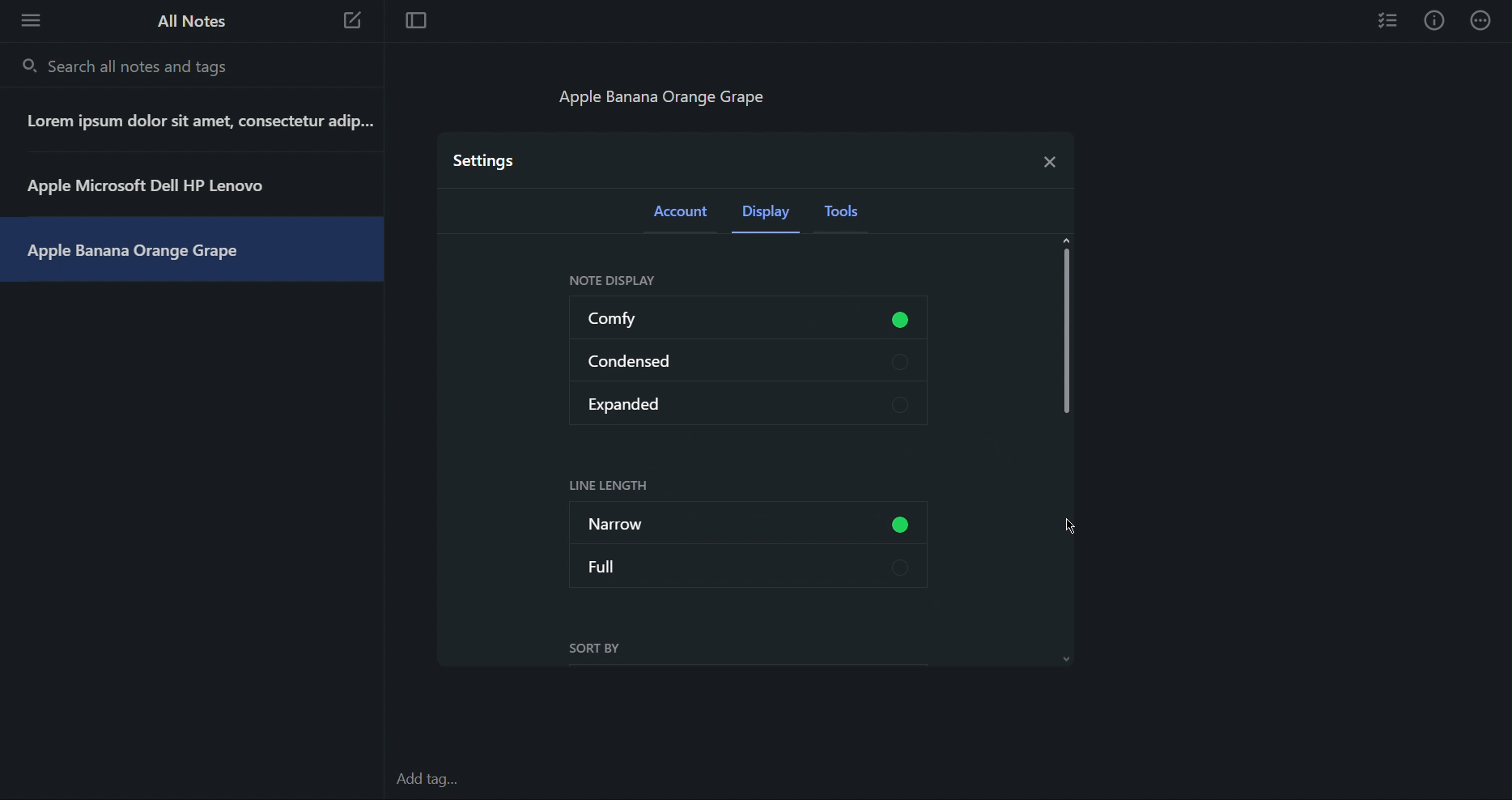  What do you see at coordinates (701, 521) in the screenshot?
I see `Narrow` at bounding box center [701, 521].